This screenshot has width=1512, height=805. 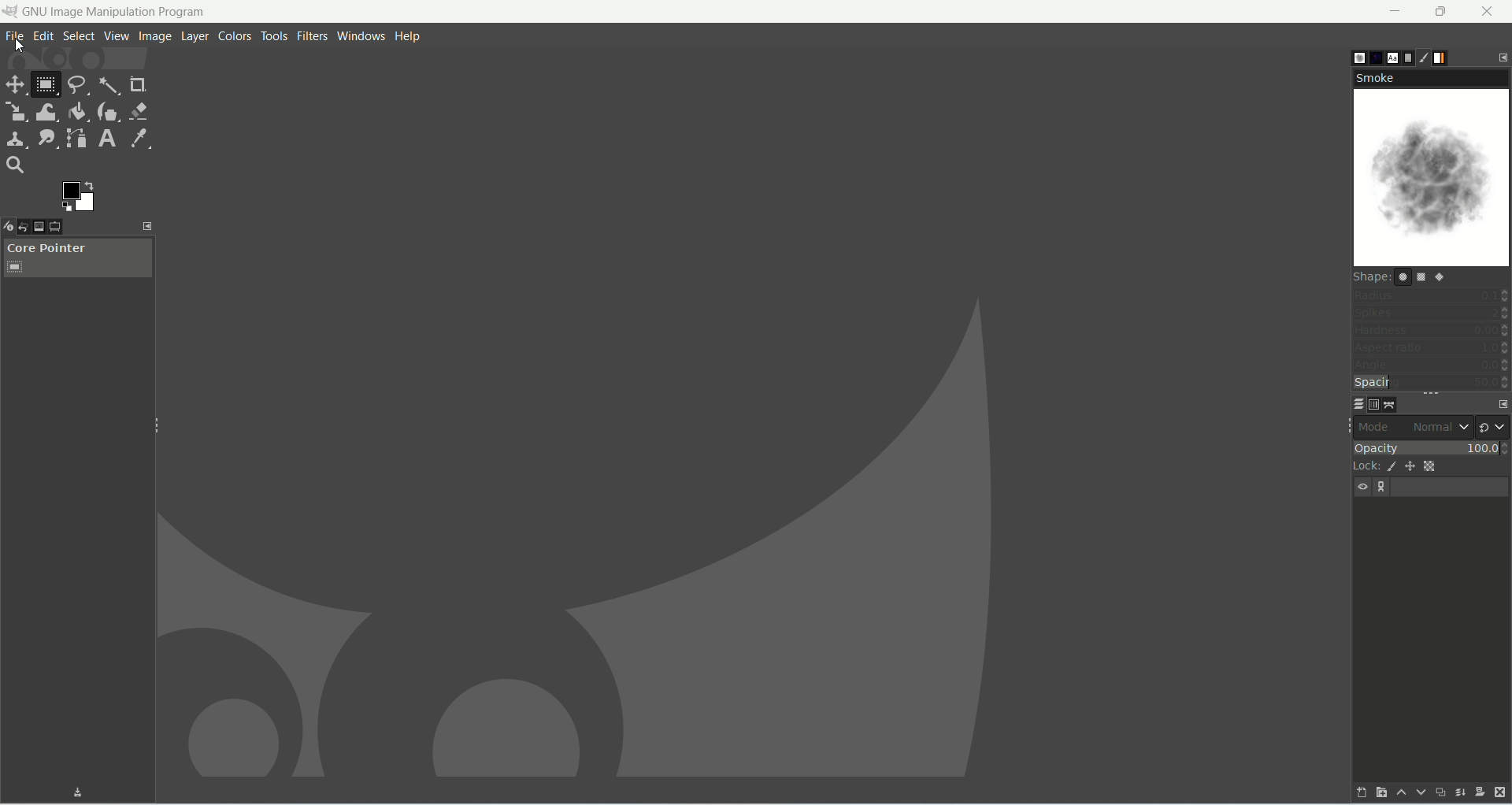 What do you see at coordinates (235, 35) in the screenshot?
I see `colors` at bounding box center [235, 35].